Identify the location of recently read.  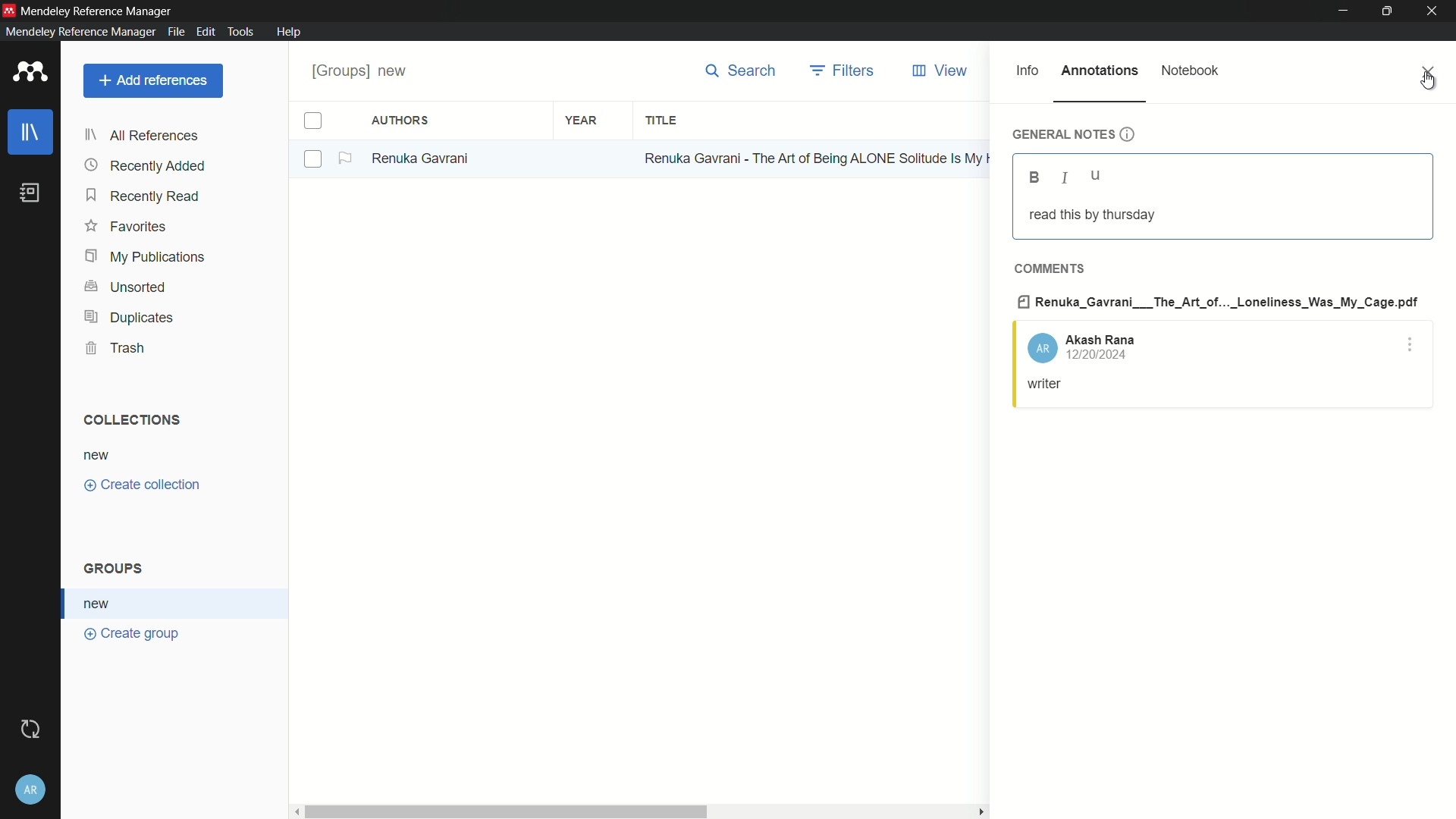
(145, 196).